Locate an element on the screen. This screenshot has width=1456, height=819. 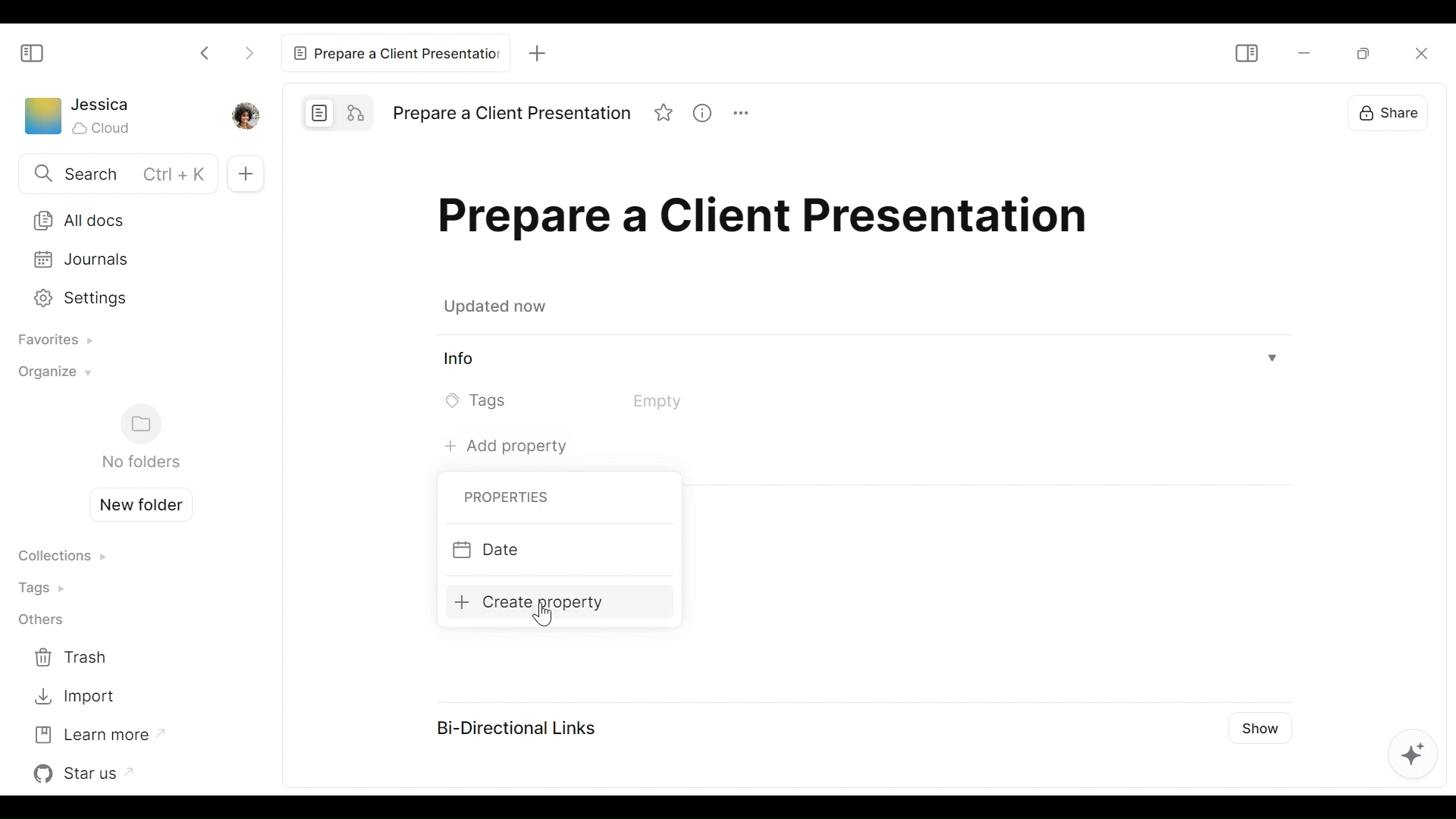
Share is located at coordinates (1395, 118).